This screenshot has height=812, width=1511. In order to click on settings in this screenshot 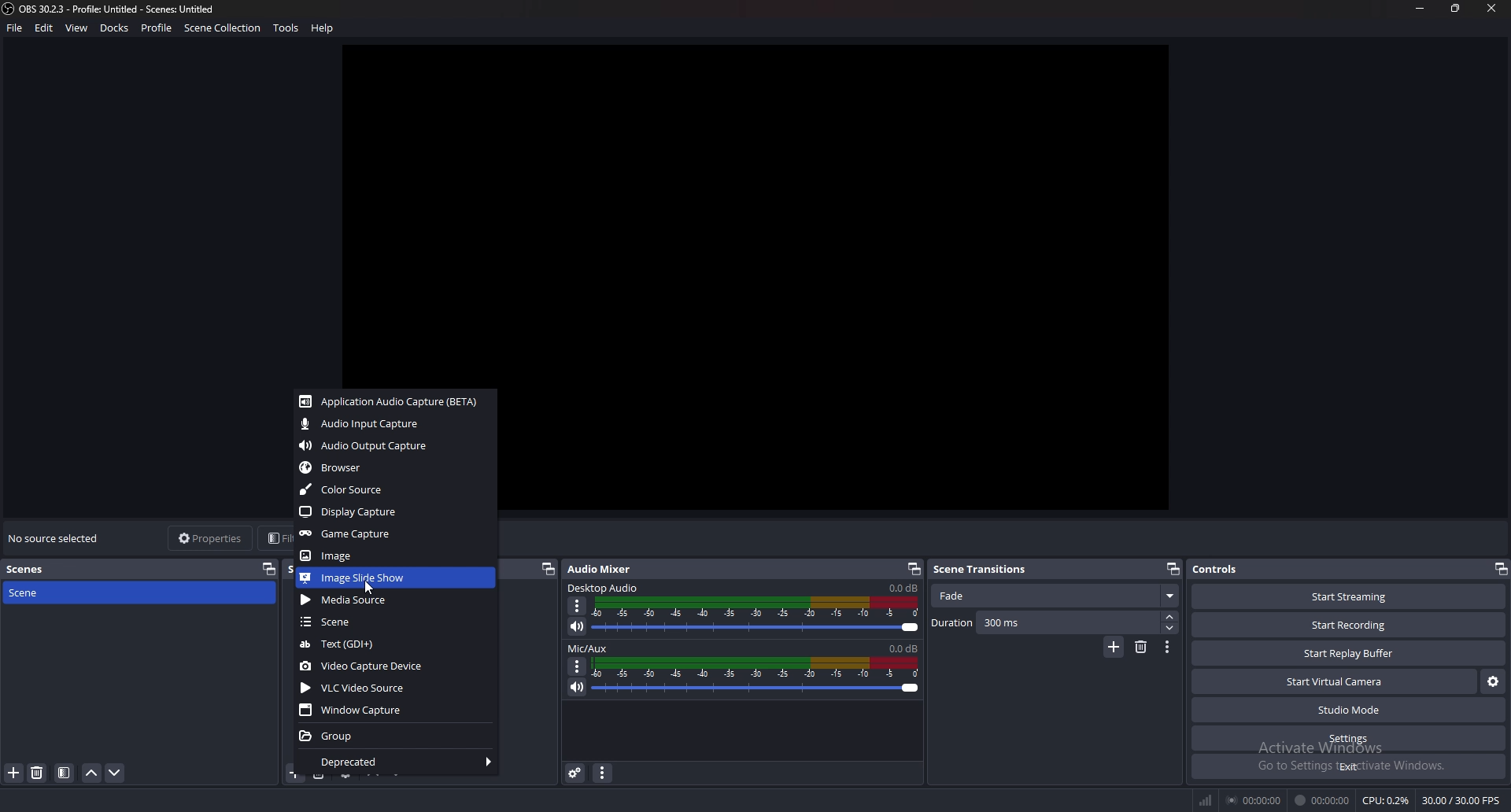, I will do `click(1348, 739)`.